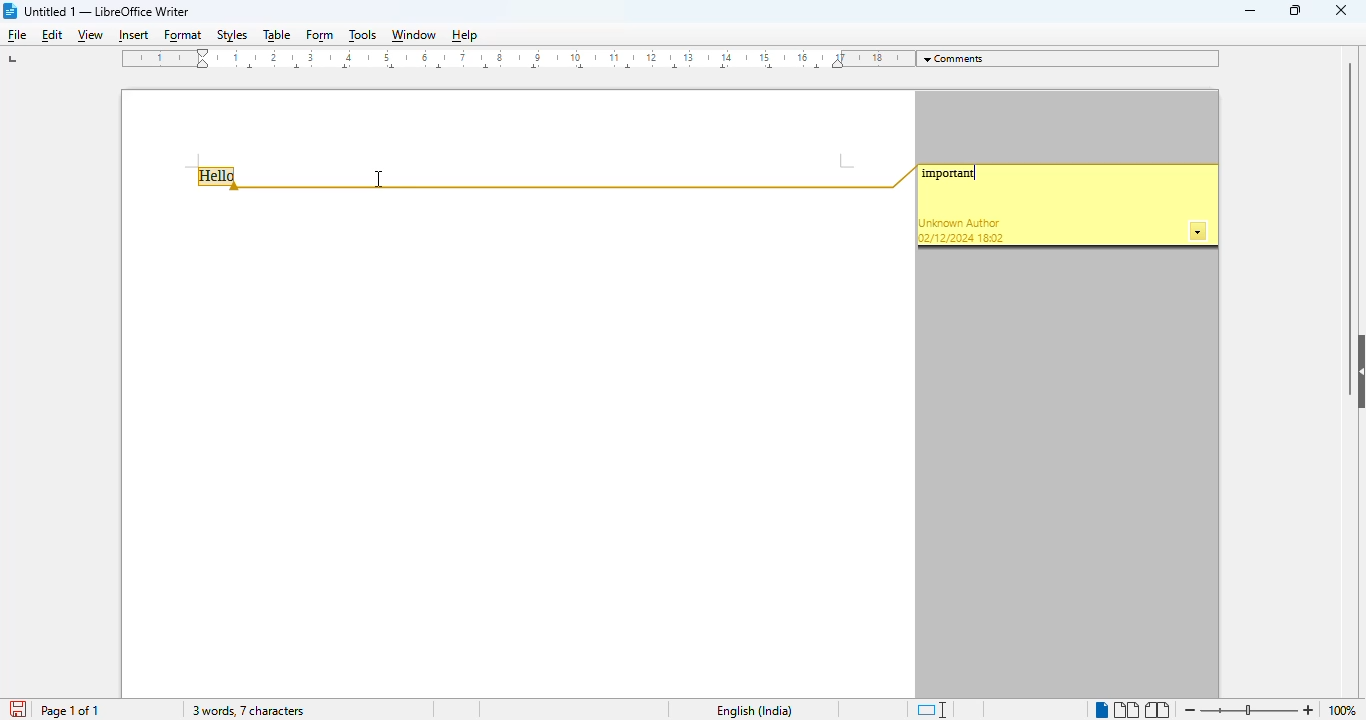 The width and height of the screenshot is (1366, 720). I want to click on 02/12/2024, so click(946, 238).